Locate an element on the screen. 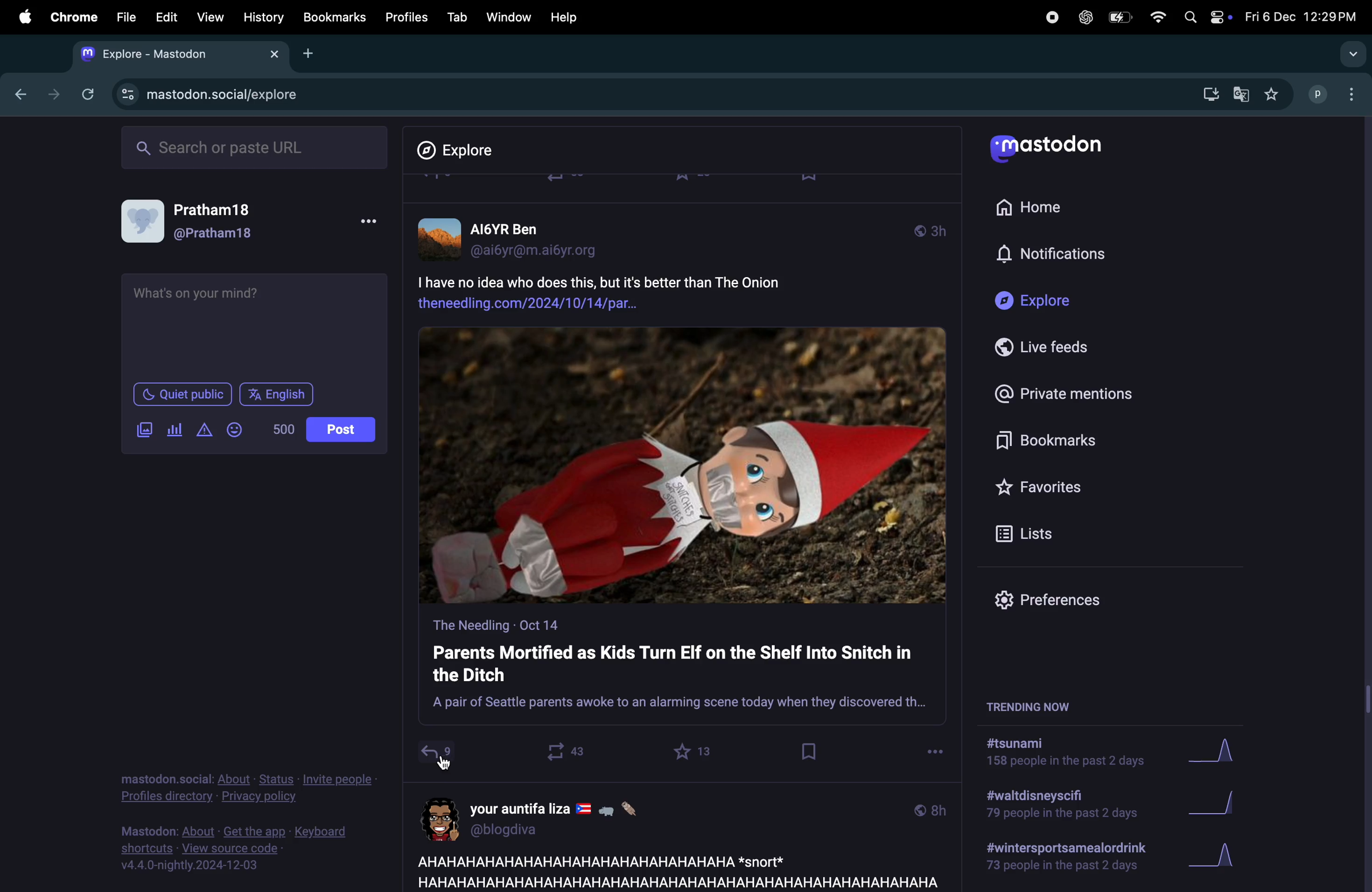  #winter sport drink is located at coordinates (1063, 859).